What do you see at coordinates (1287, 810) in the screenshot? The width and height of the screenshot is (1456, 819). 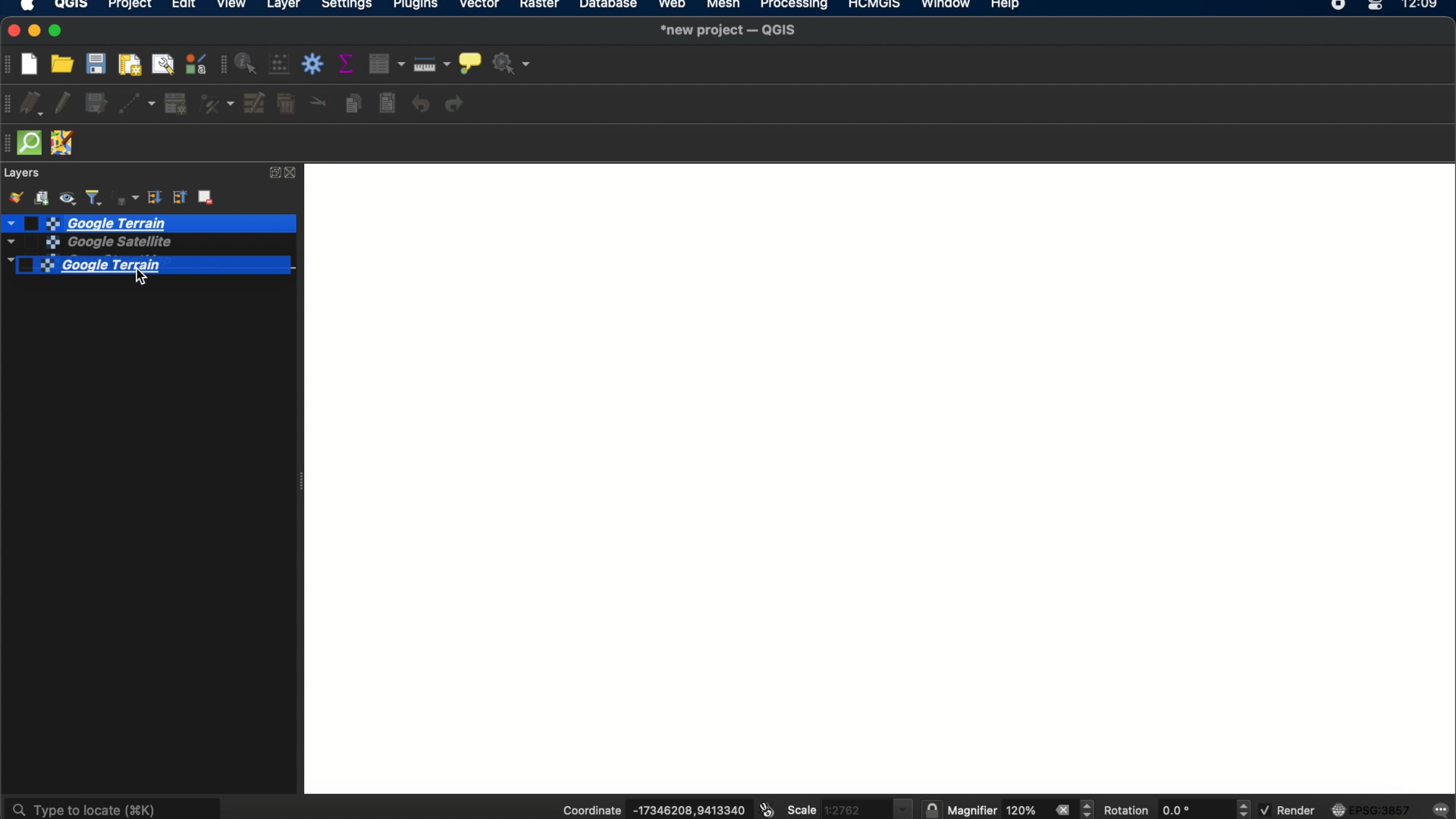 I see `render` at bounding box center [1287, 810].